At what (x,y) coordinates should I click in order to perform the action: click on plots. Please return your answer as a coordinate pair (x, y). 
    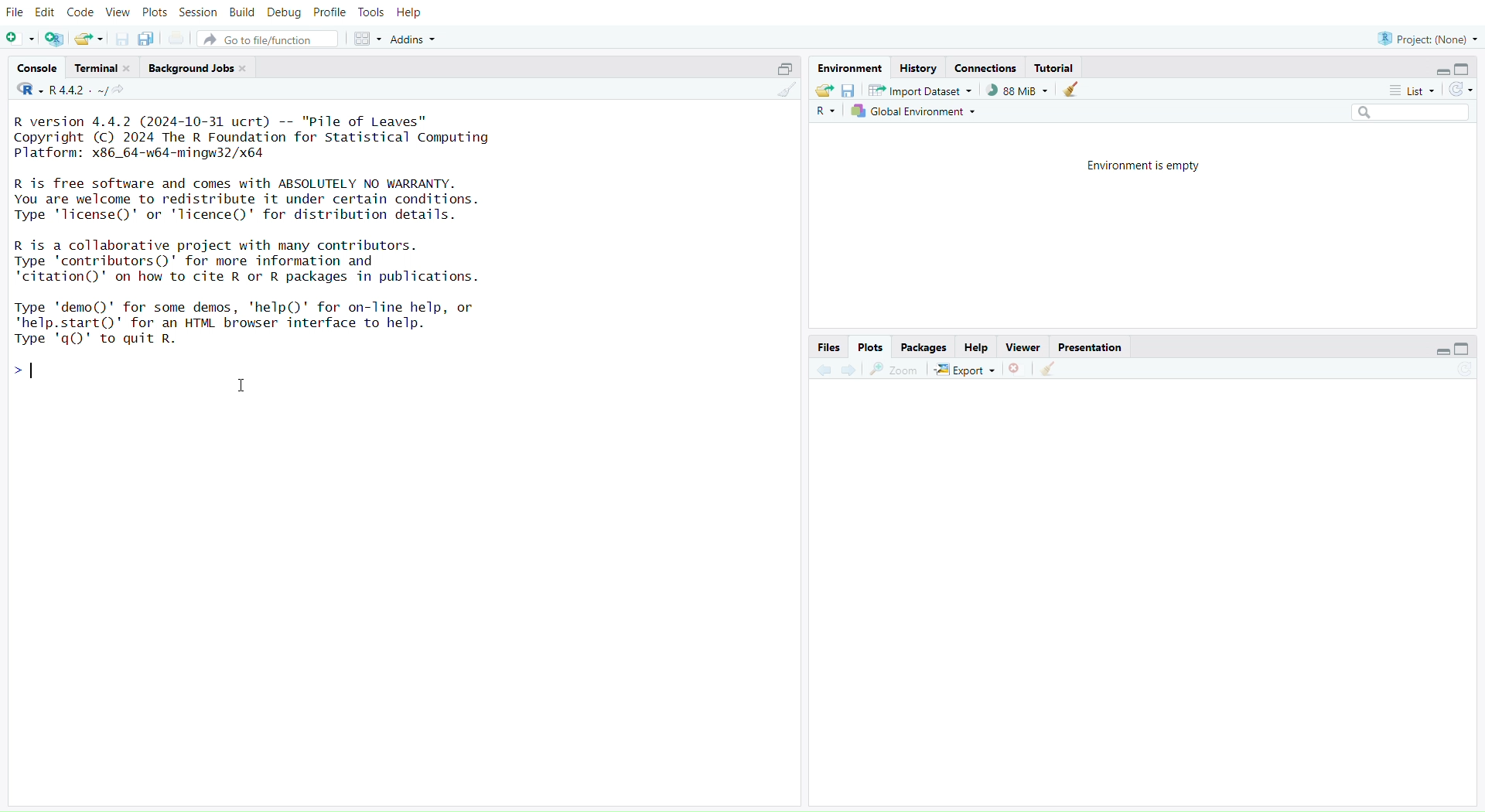
    Looking at the image, I should click on (870, 346).